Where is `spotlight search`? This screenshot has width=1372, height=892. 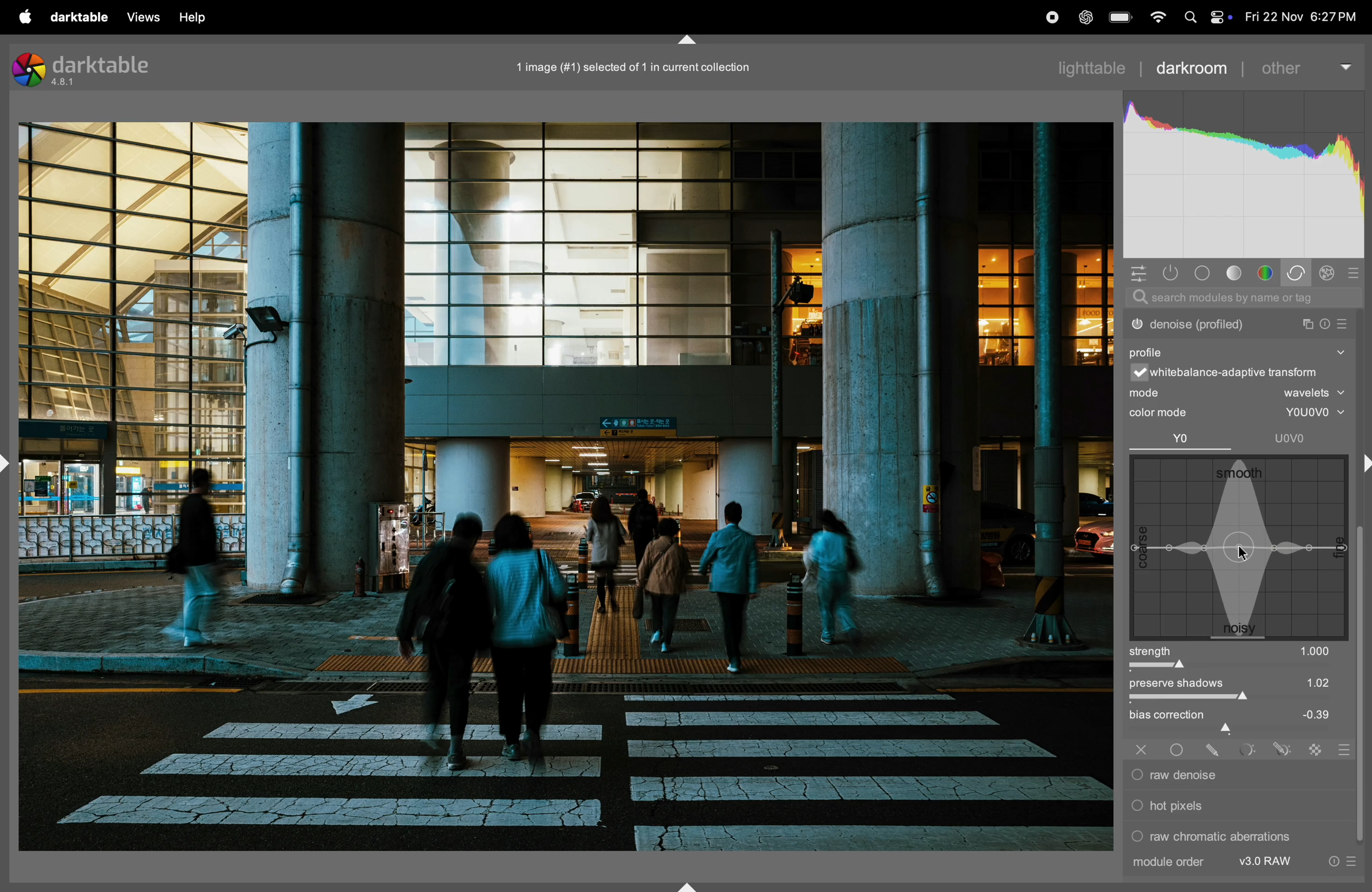
spotlight search is located at coordinates (1190, 20).